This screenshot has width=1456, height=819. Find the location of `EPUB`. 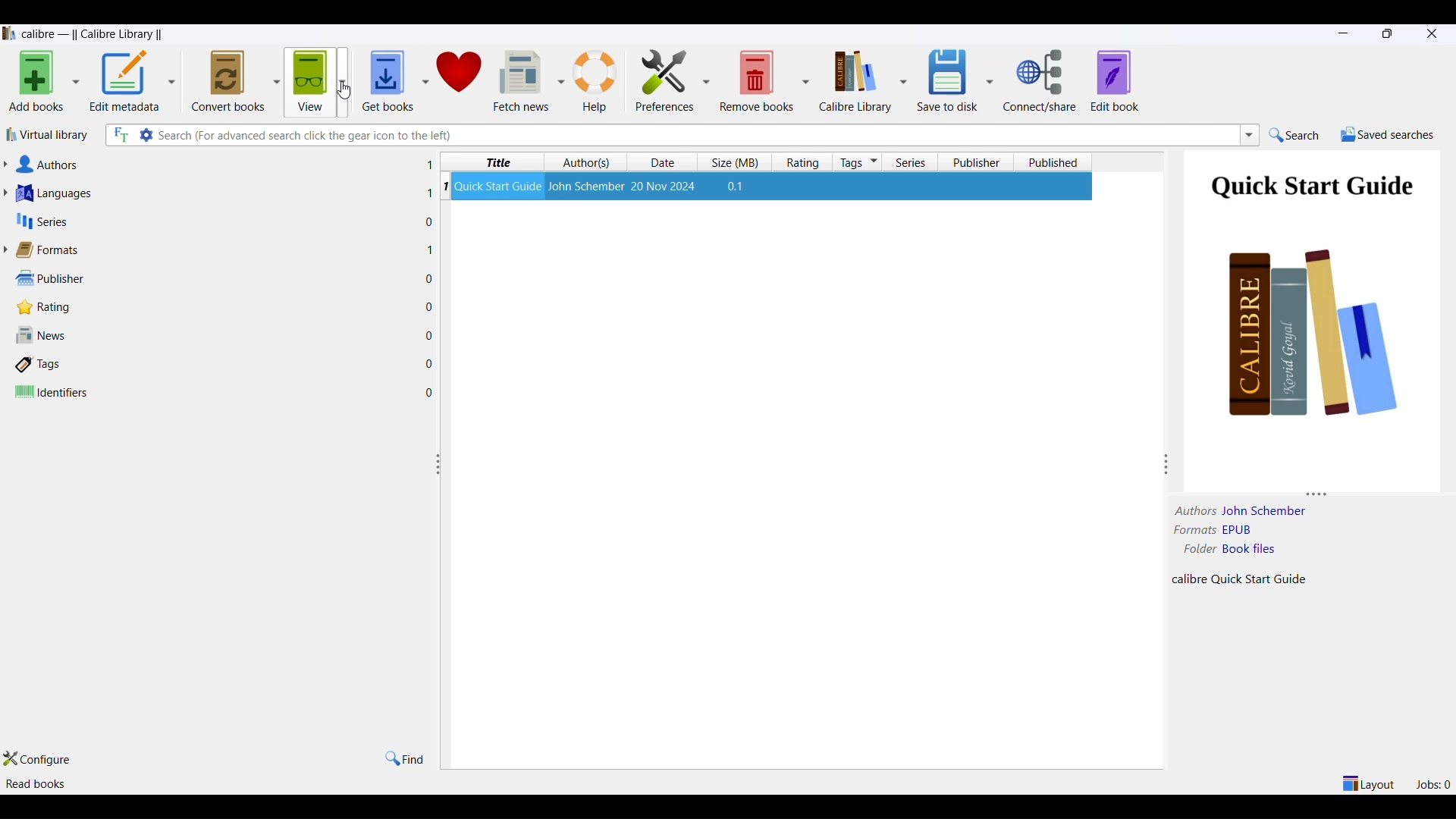

EPUB is located at coordinates (1275, 532).